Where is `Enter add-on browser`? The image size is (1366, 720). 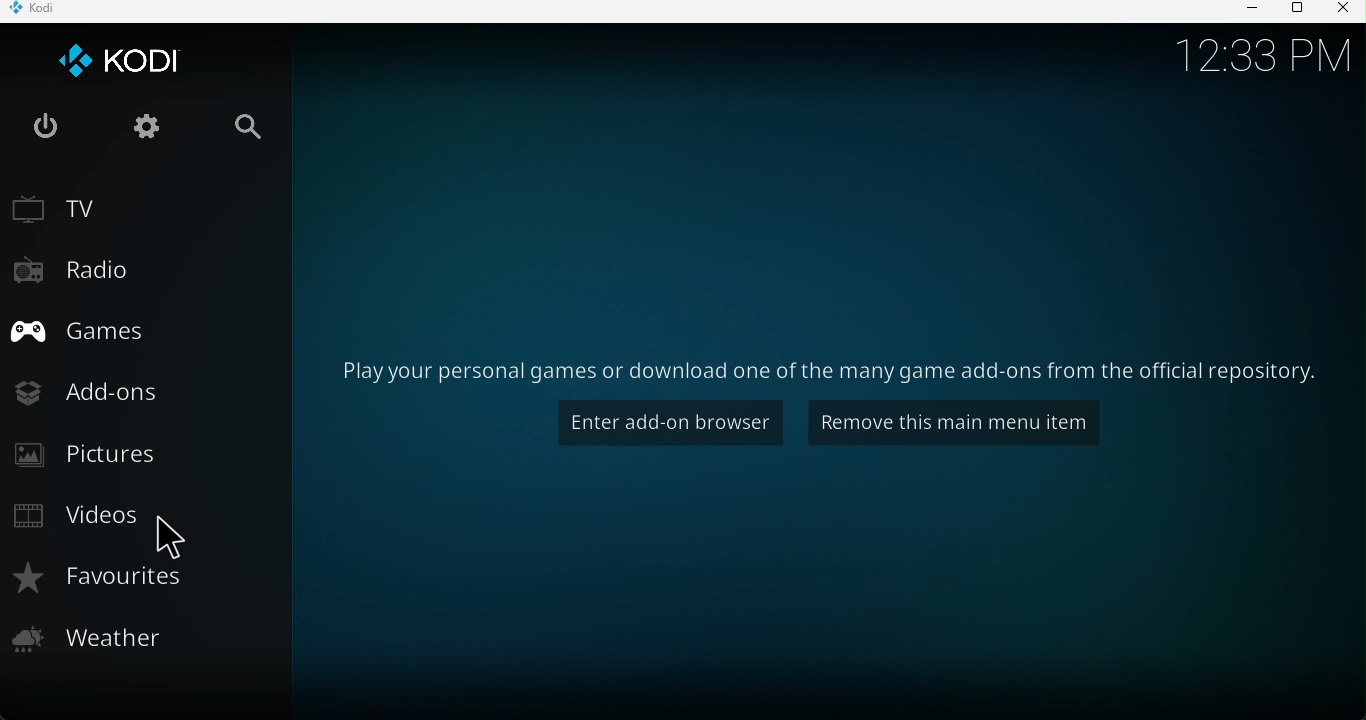 Enter add-on browser is located at coordinates (663, 424).